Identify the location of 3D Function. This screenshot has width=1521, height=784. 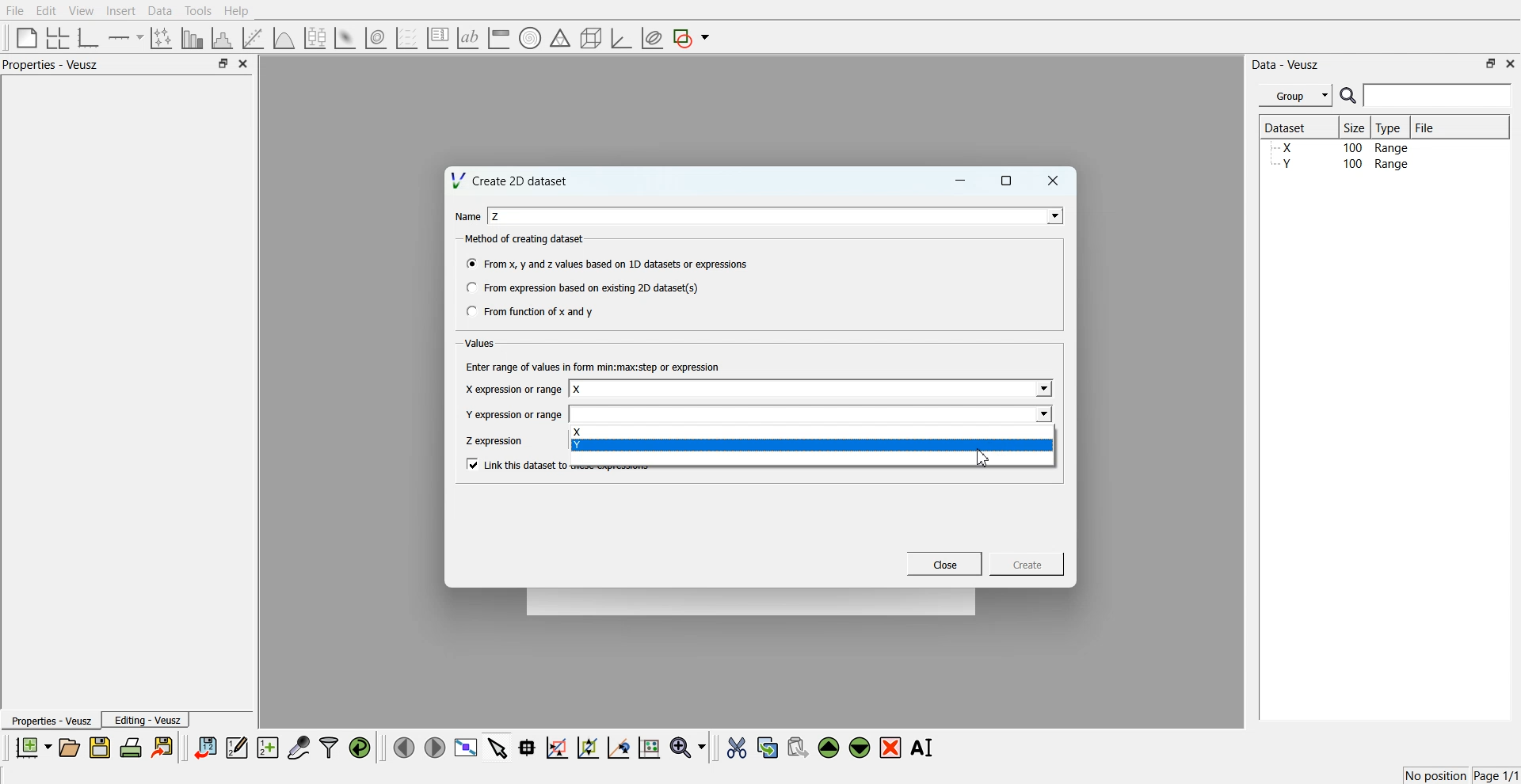
(284, 38).